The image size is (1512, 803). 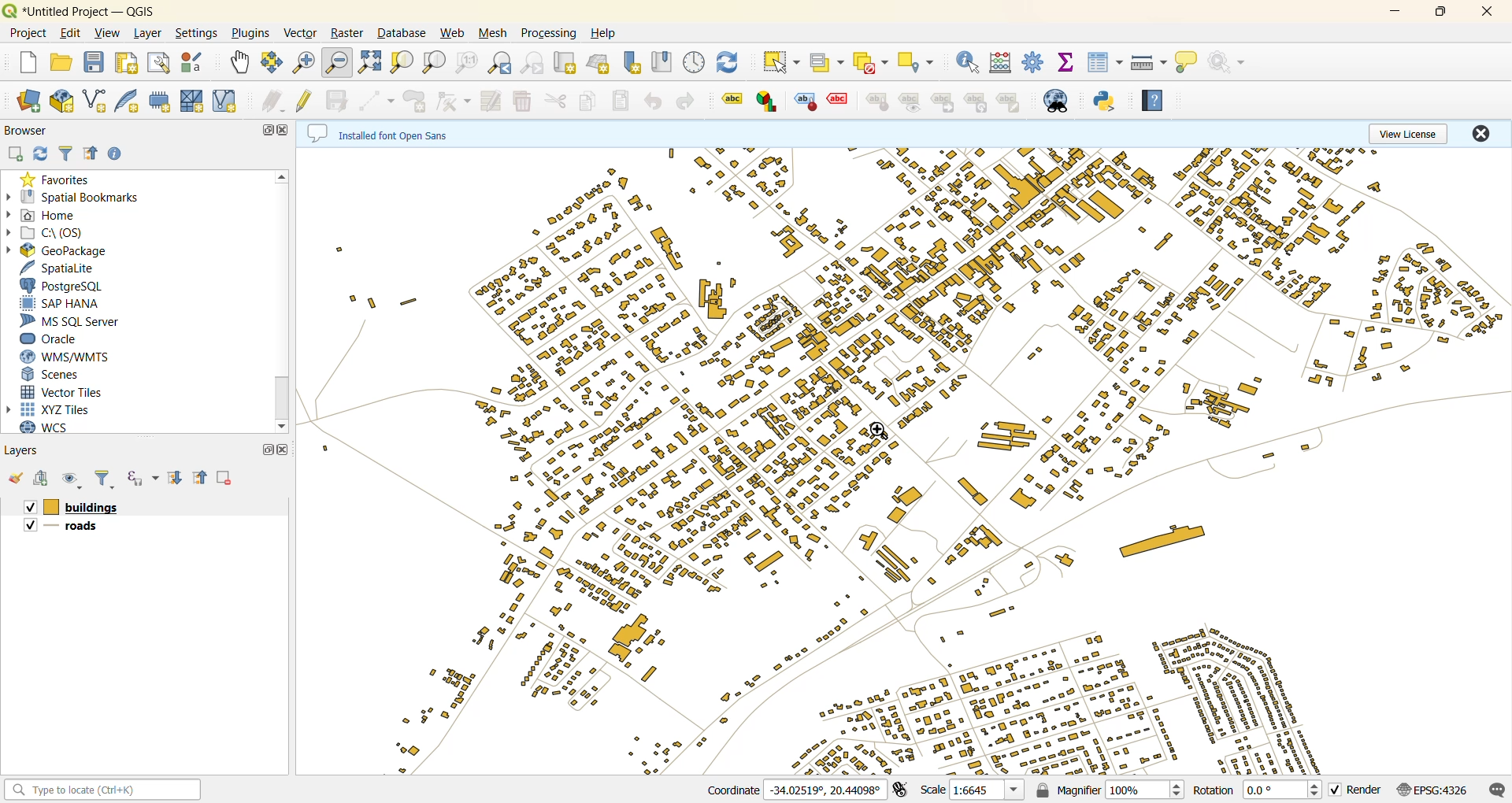 What do you see at coordinates (1108, 62) in the screenshot?
I see `attributes table` at bounding box center [1108, 62].